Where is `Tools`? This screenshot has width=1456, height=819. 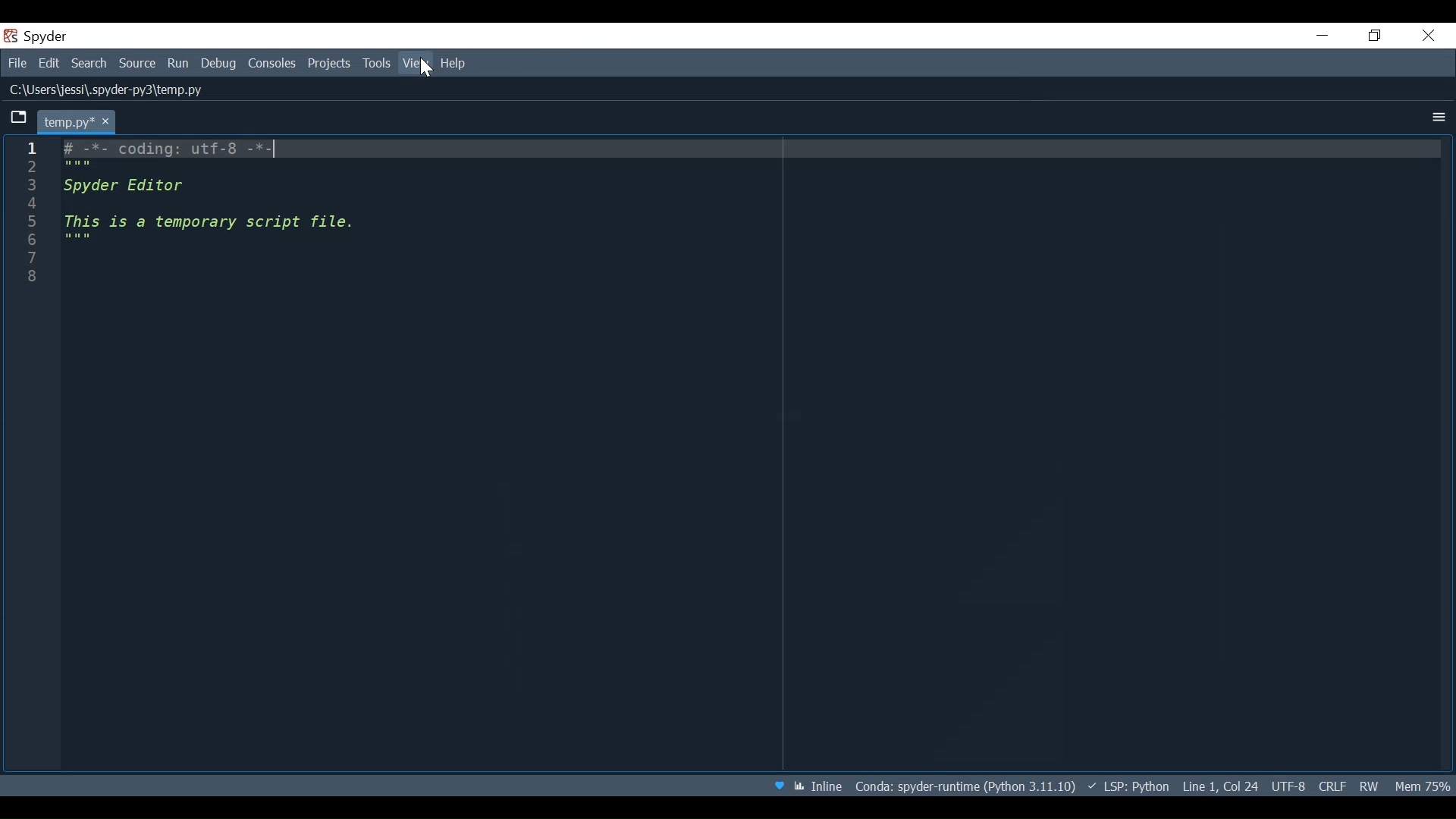 Tools is located at coordinates (377, 64).